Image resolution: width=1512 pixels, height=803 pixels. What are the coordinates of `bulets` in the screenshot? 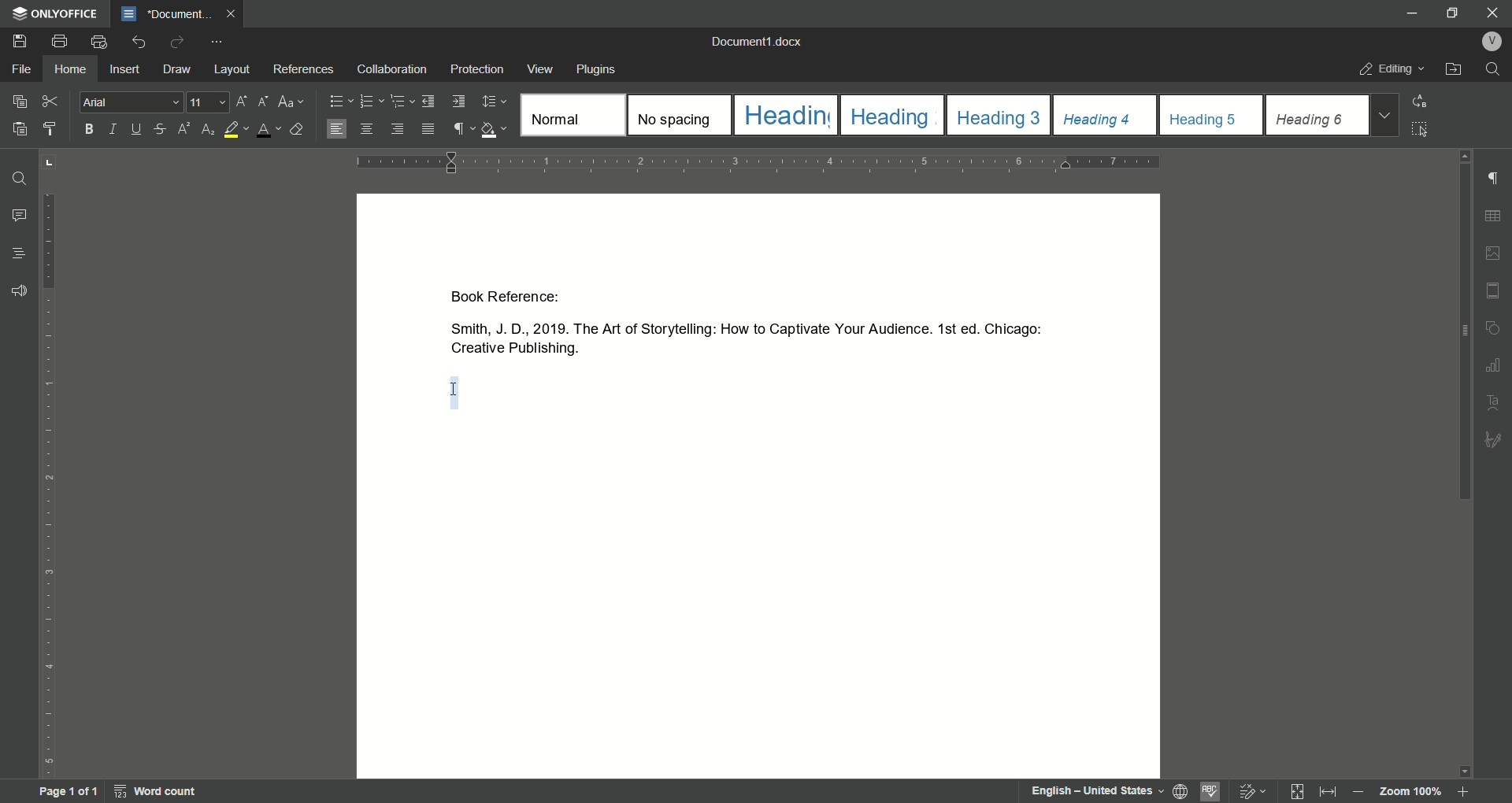 It's located at (341, 100).